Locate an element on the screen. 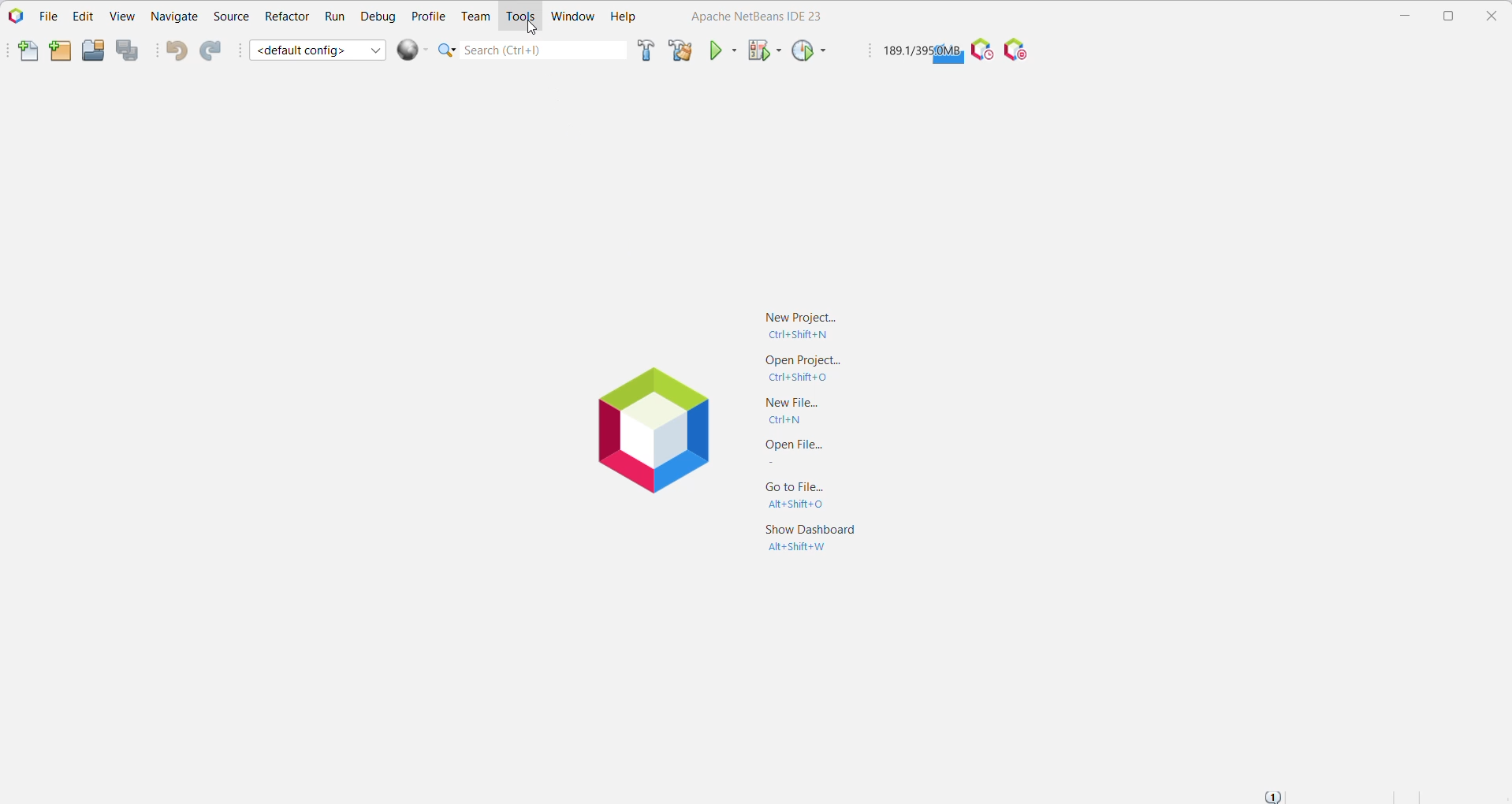  Apache Netbeans IDE 23 is located at coordinates (751, 17).